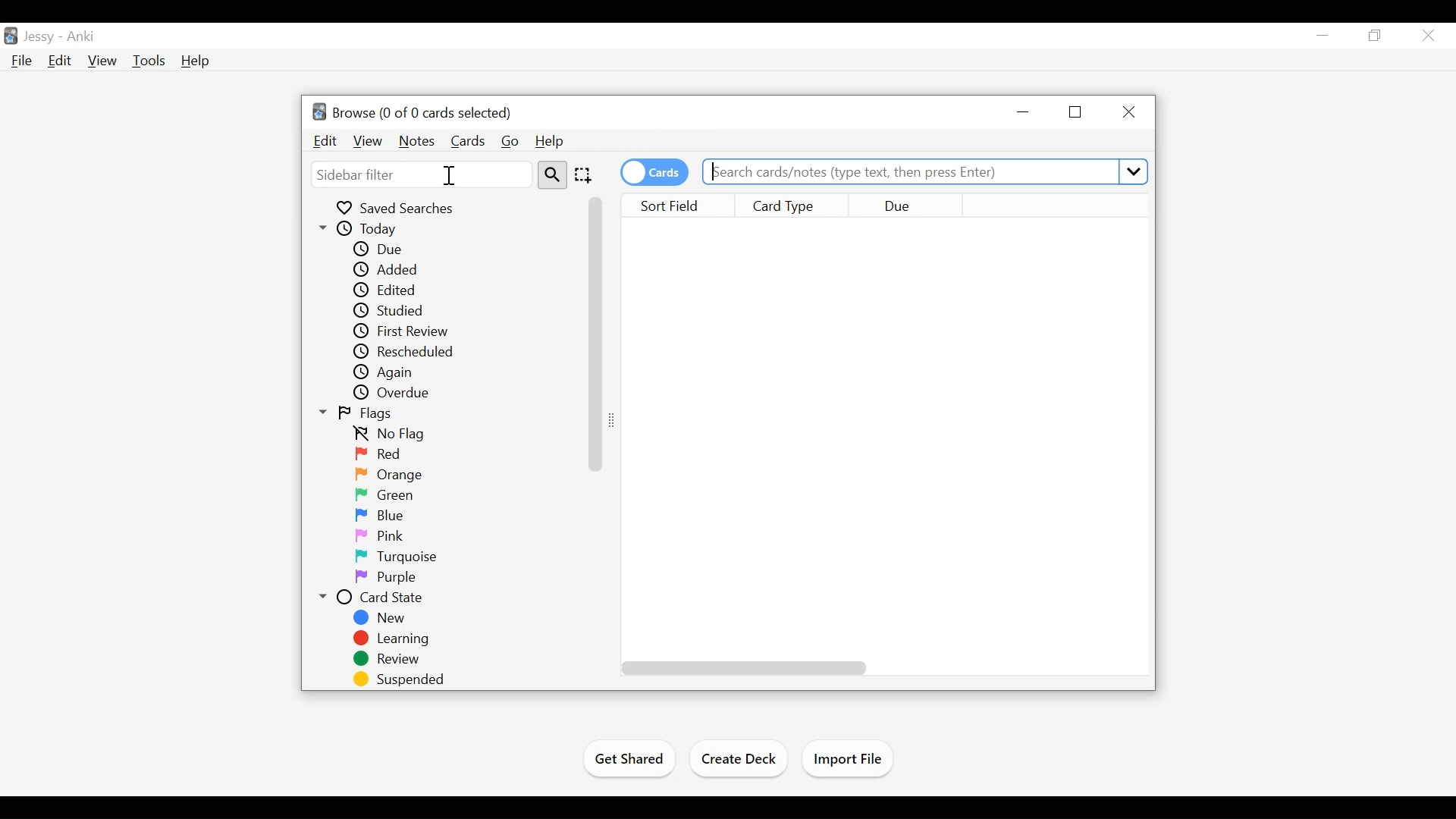  Describe the element at coordinates (388, 290) in the screenshot. I see `Edited` at that location.